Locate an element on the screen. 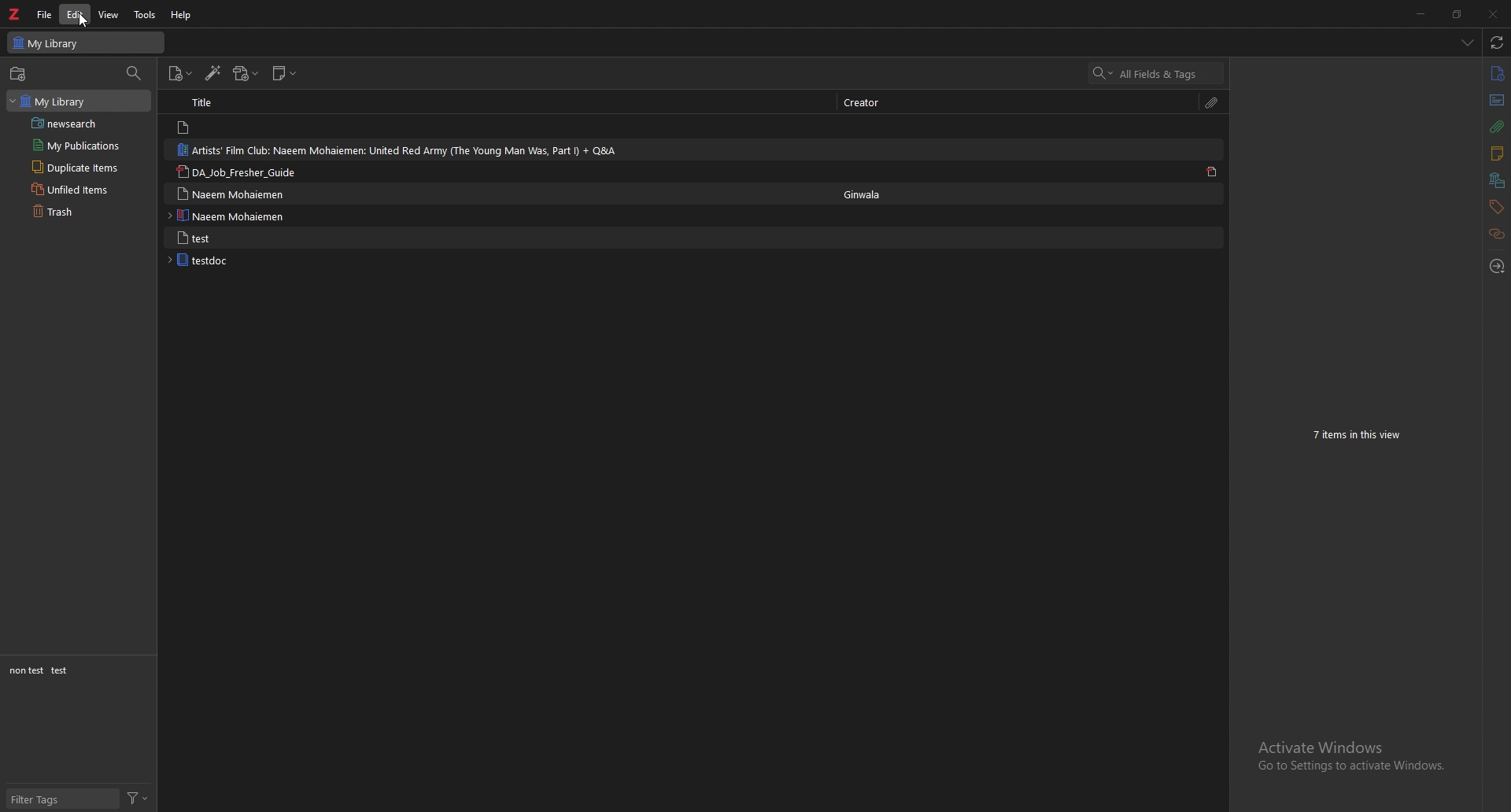  help is located at coordinates (183, 14).